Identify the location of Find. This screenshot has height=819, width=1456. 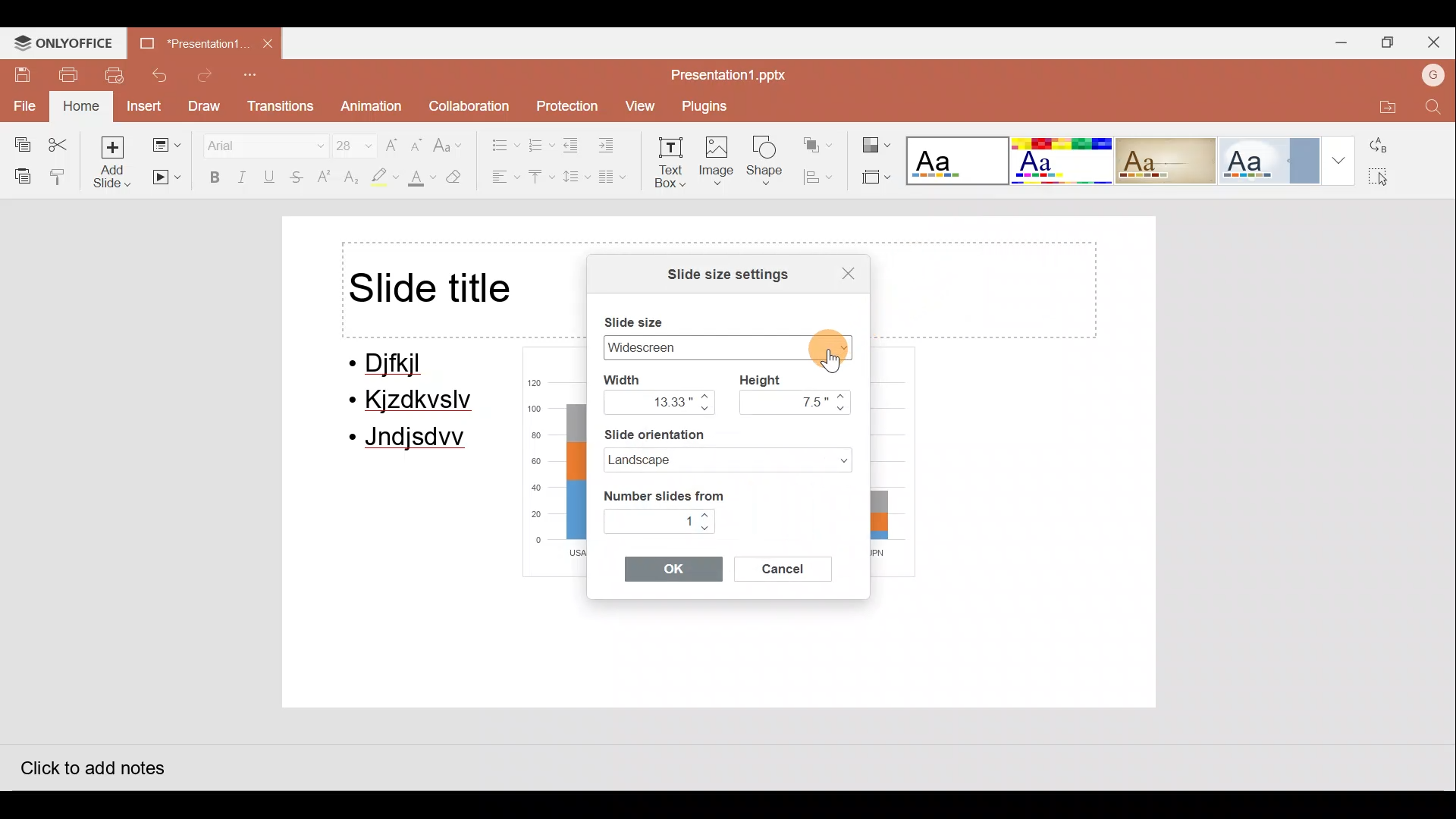
(1435, 108).